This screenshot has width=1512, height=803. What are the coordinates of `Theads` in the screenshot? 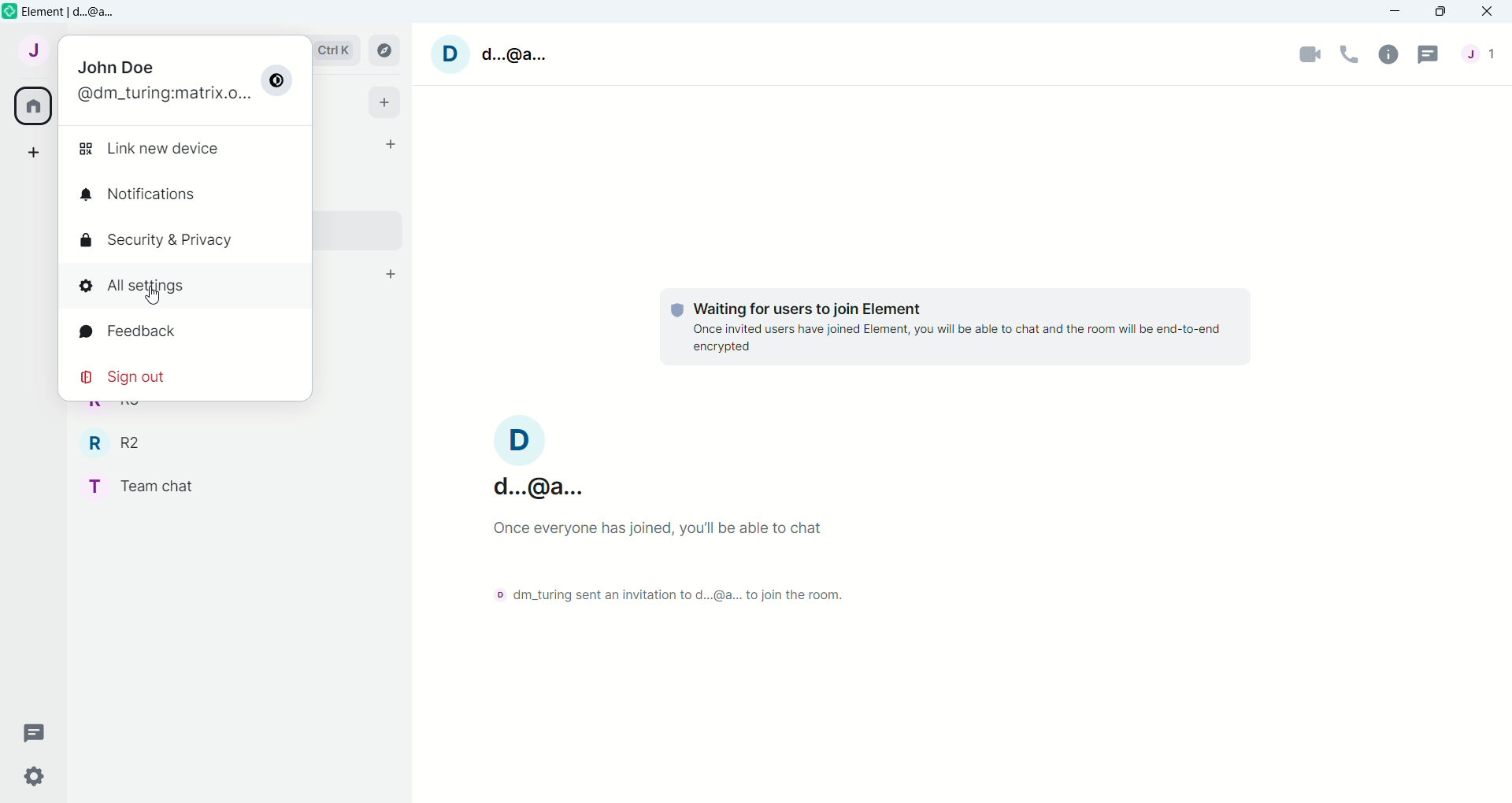 It's located at (35, 731).